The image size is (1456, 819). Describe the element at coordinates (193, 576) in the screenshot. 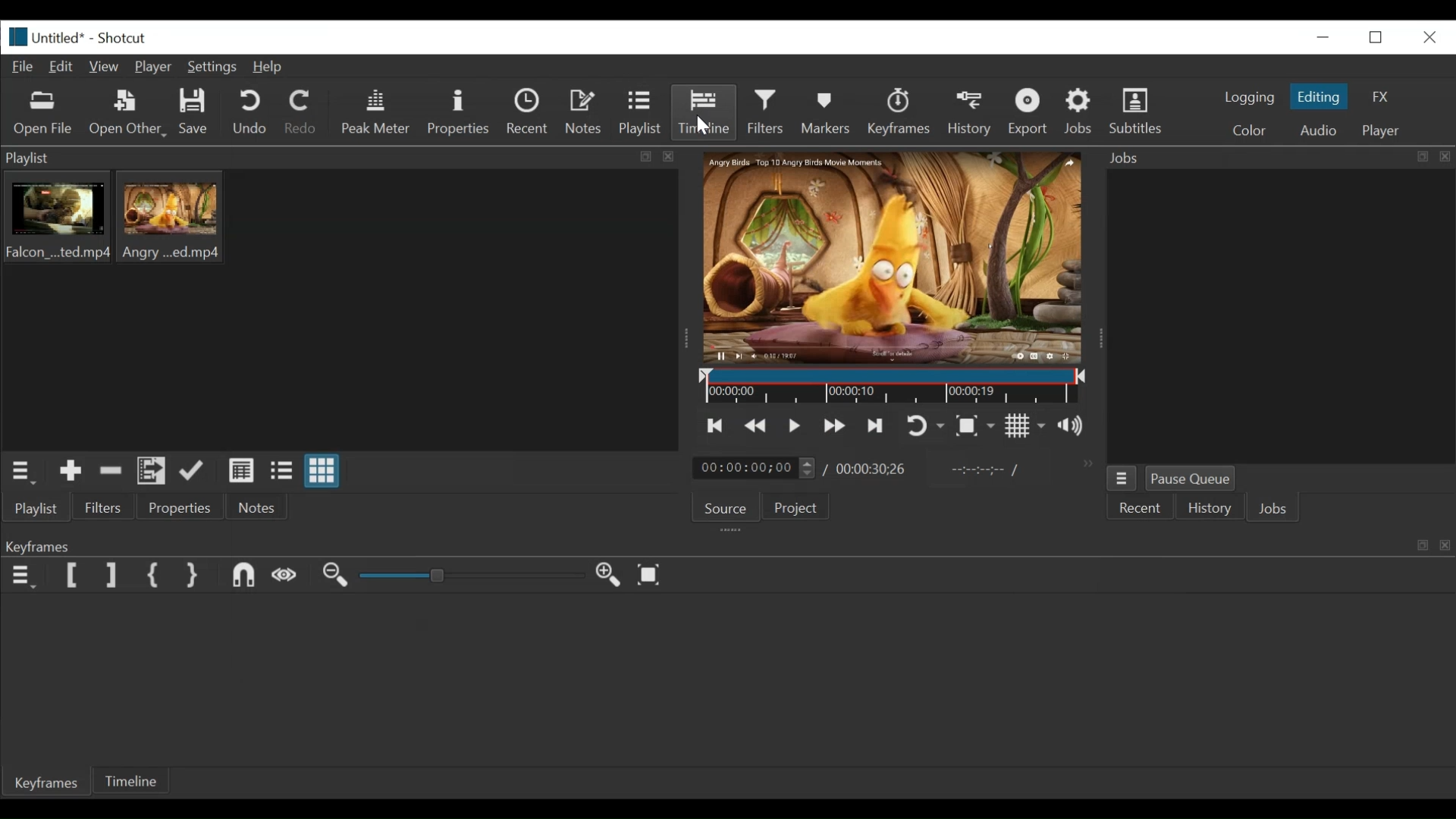

I see `Set Second Simple Keyframe` at that location.